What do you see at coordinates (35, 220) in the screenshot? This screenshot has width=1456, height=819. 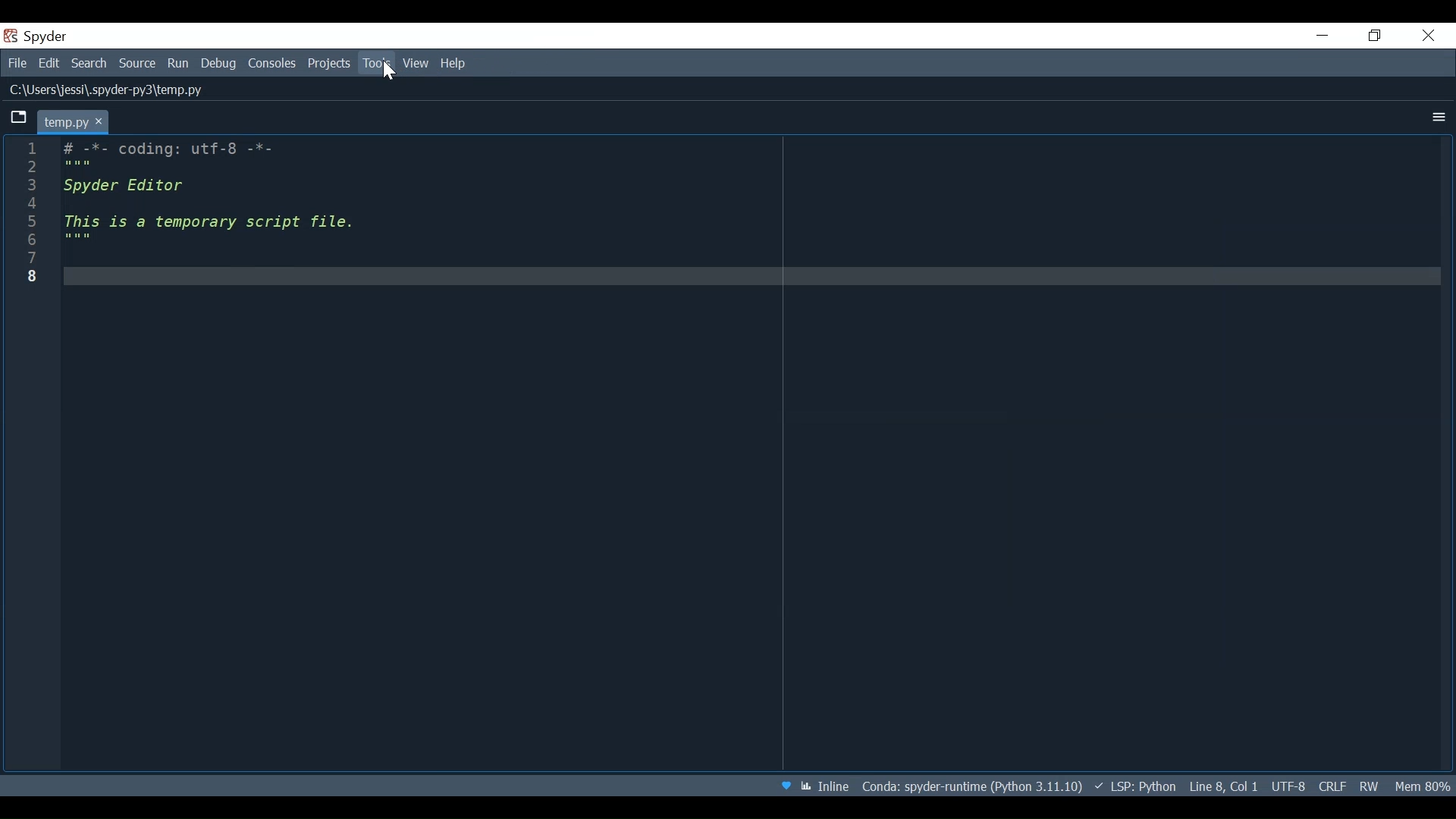 I see `` at bounding box center [35, 220].